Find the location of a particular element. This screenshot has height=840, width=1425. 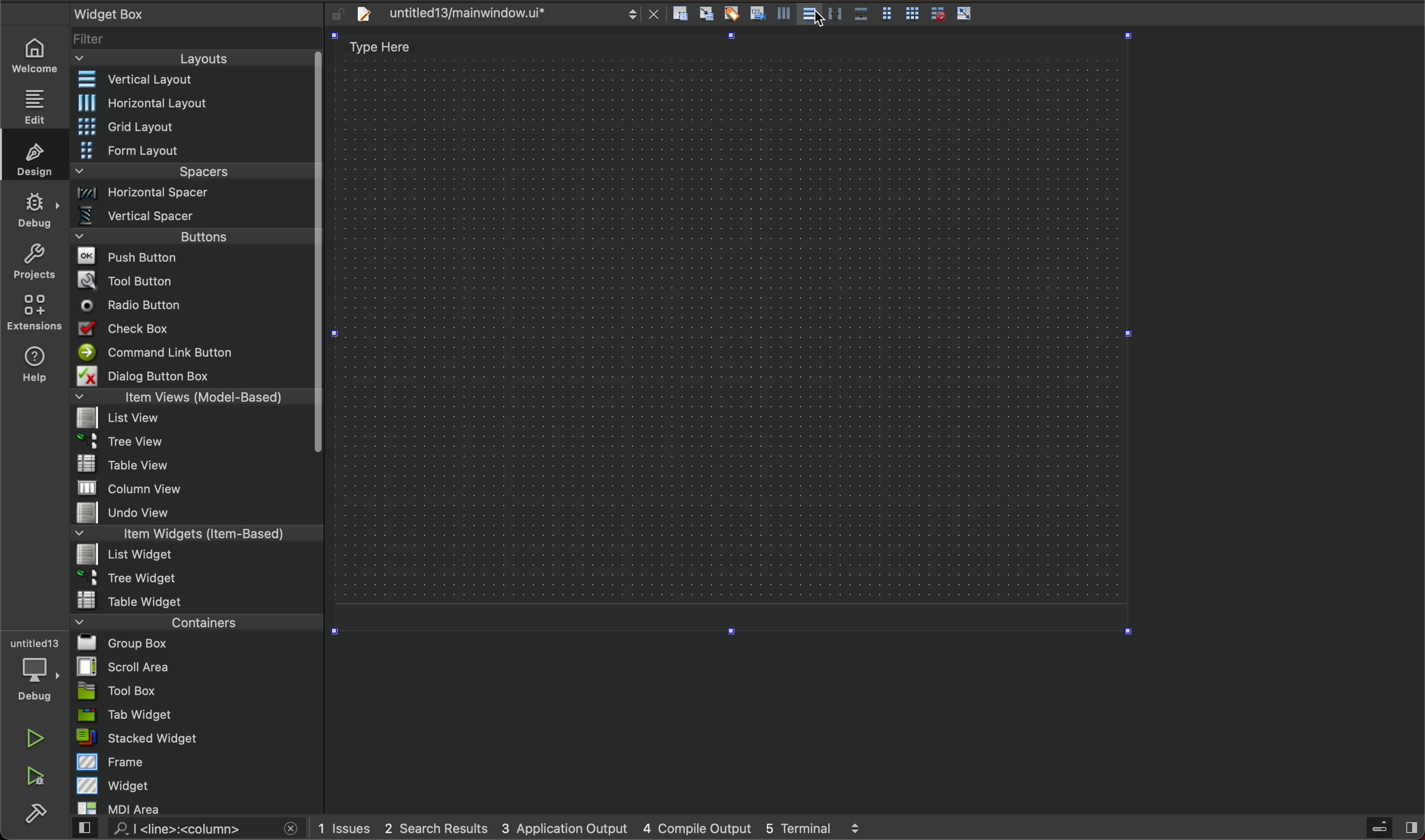

 is located at coordinates (967, 15).